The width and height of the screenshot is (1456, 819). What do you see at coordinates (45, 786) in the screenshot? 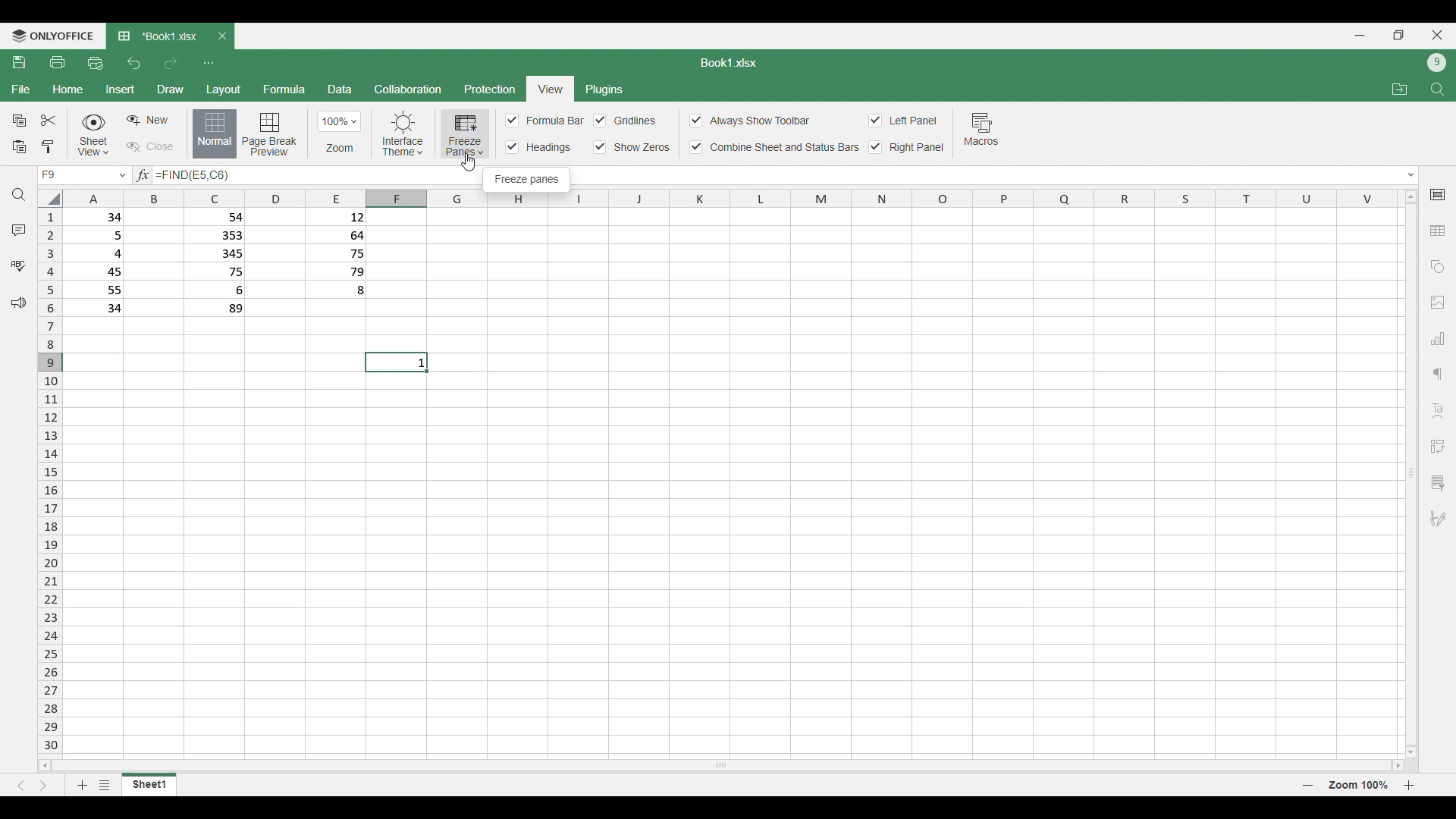
I see `Next` at bounding box center [45, 786].